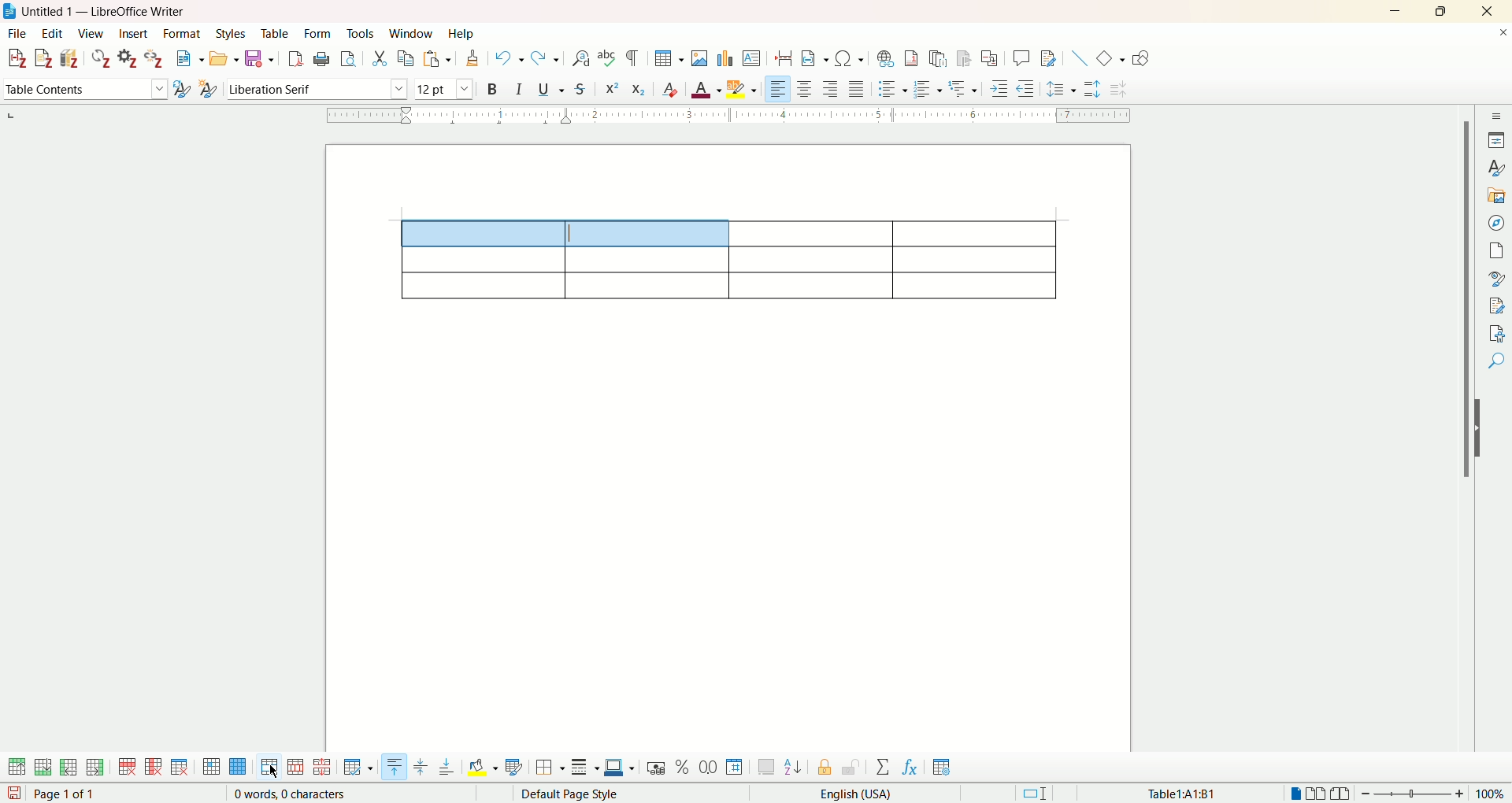  Describe the element at coordinates (639, 89) in the screenshot. I see `subscript` at that location.